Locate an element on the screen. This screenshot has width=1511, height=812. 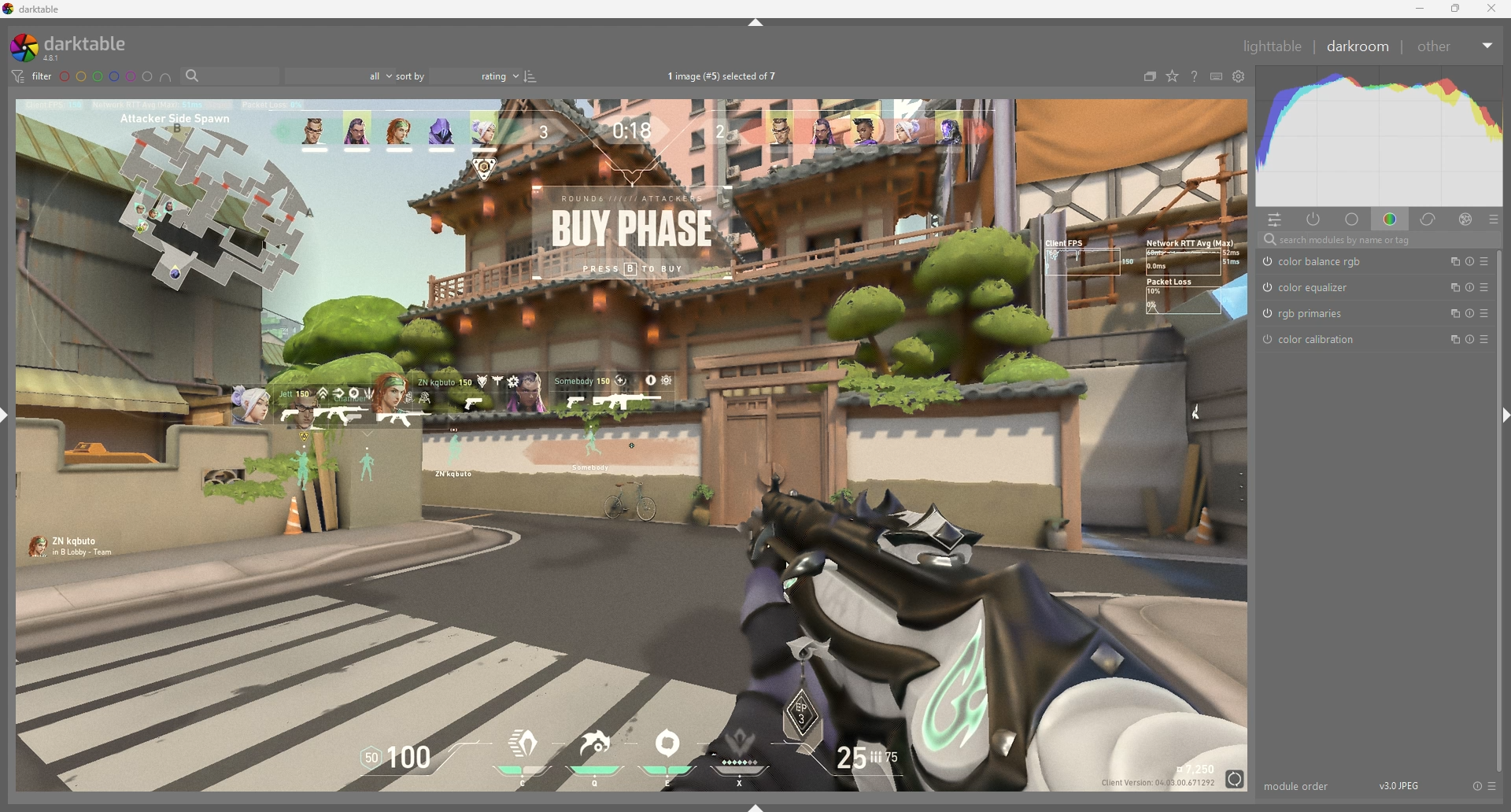
presets is located at coordinates (1485, 287).